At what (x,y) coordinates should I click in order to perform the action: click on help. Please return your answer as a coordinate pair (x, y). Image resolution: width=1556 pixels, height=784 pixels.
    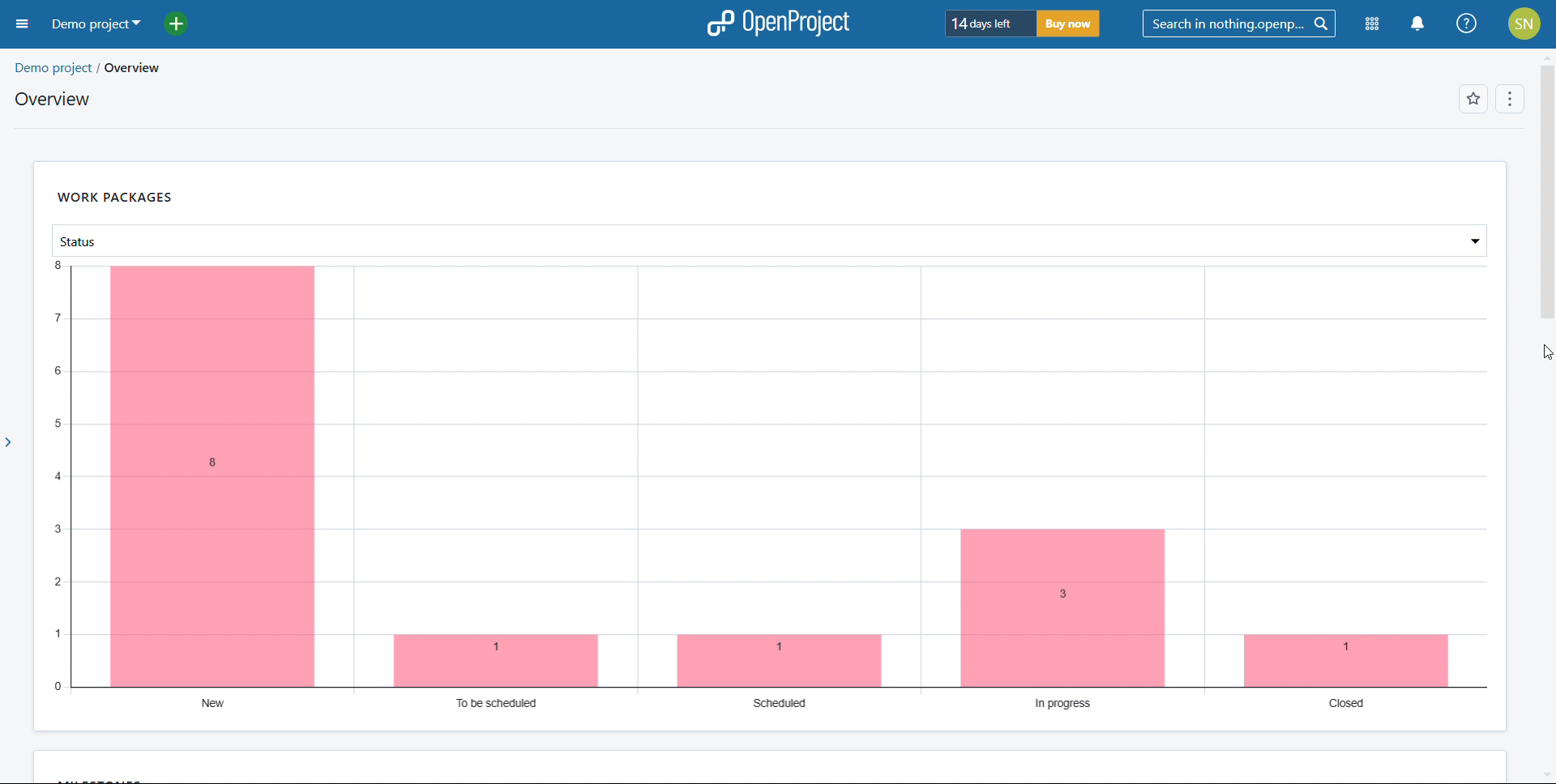
    Looking at the image, I should click on (1468, 24).